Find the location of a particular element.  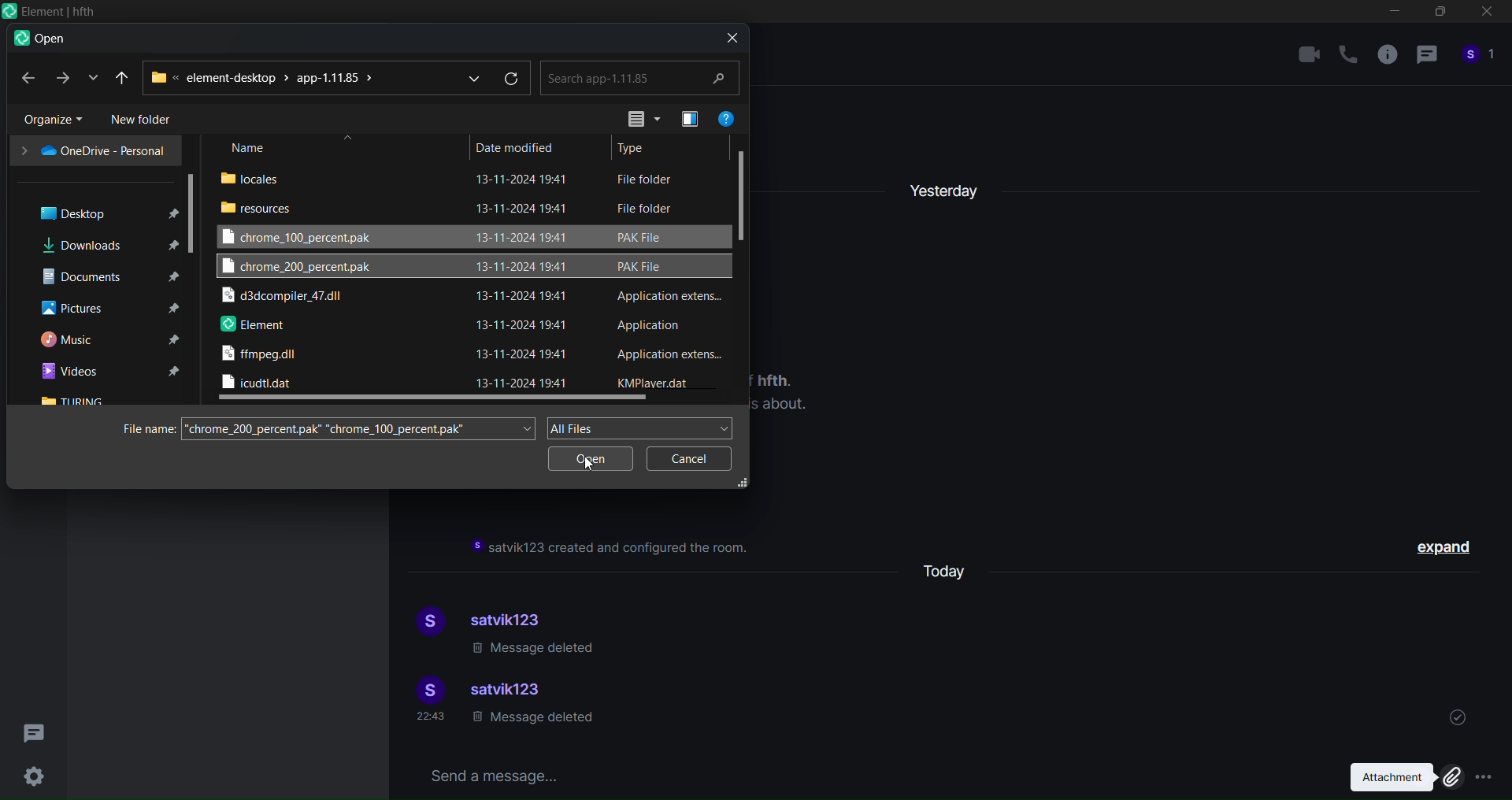

path is located at coordinates (265, 77).